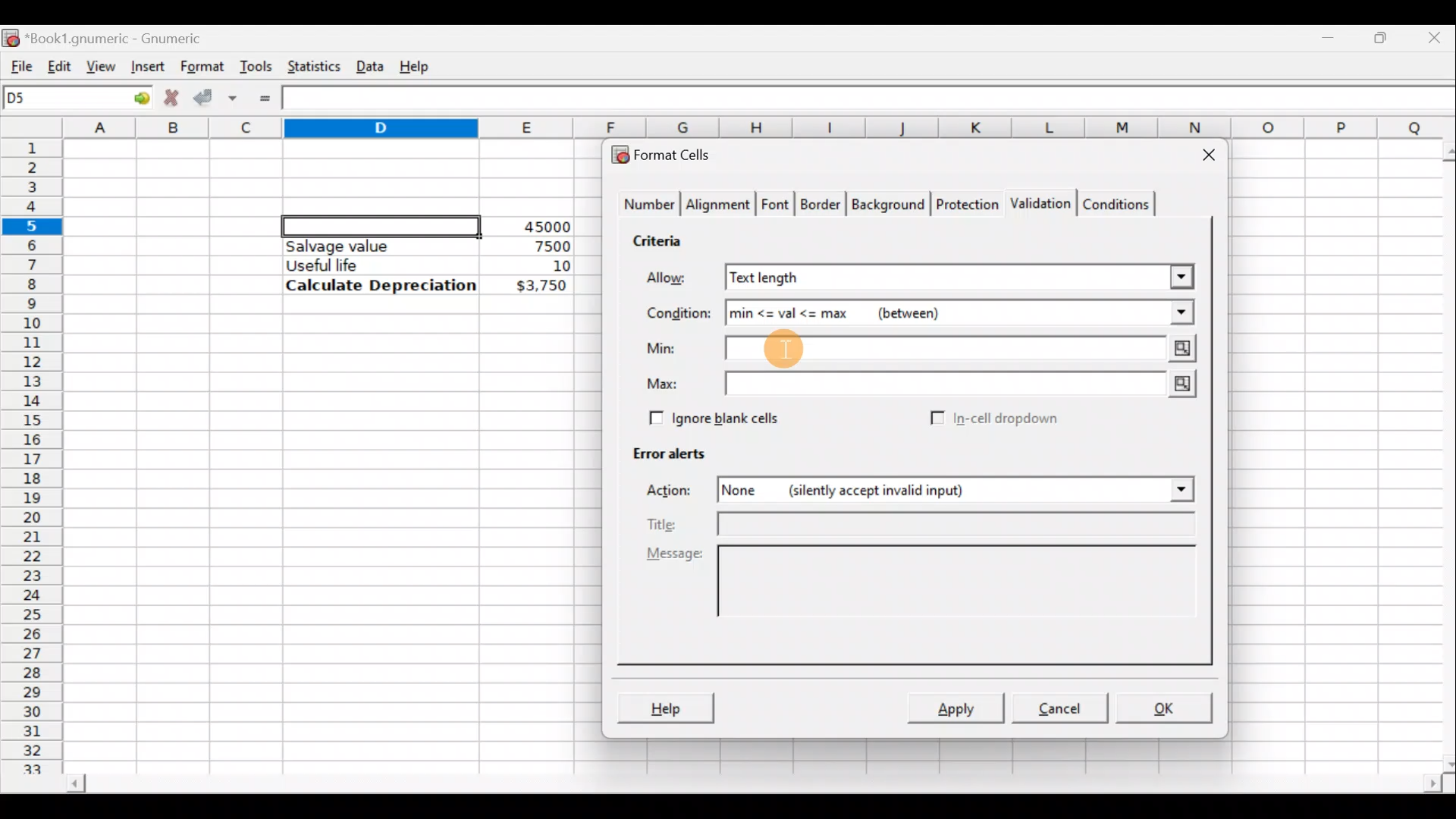  Describe the element at coordinates (265, 99) in the screenshot. I see `Enter formula` at that location.